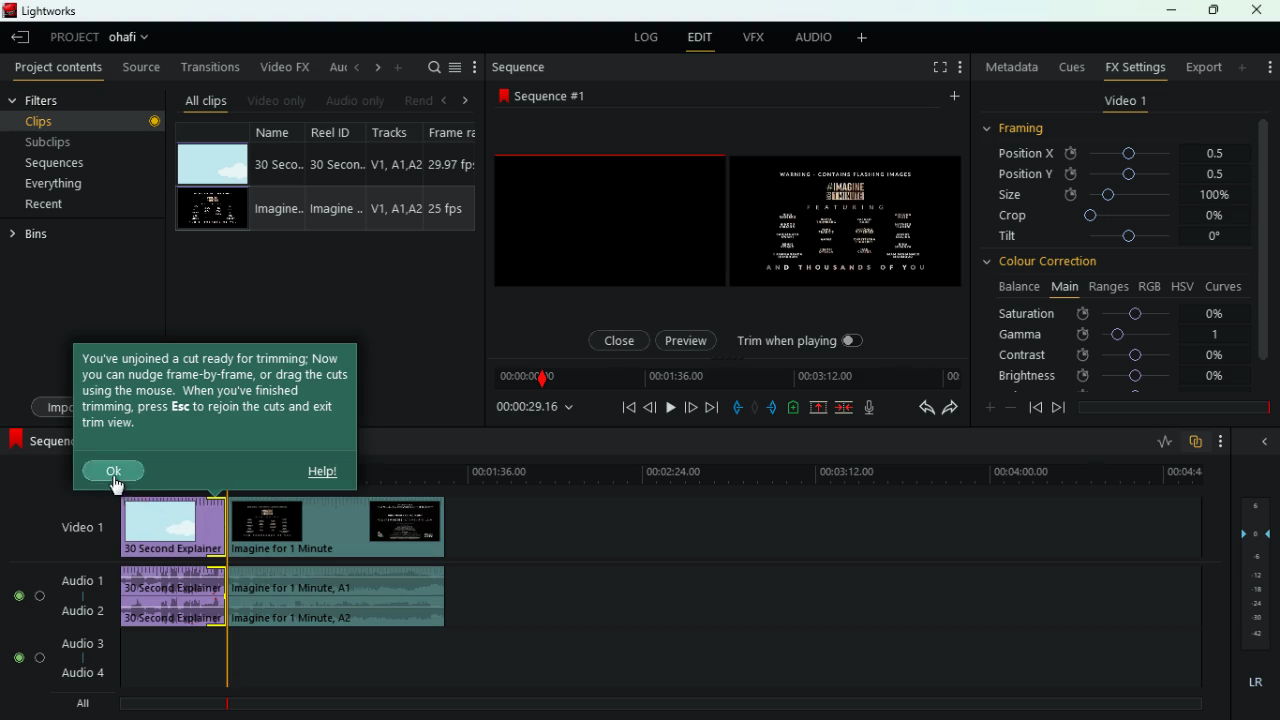  What do you see at coordinates (987, 409) in the screenshot?
I see `plus` at bounding box center [987, 409].